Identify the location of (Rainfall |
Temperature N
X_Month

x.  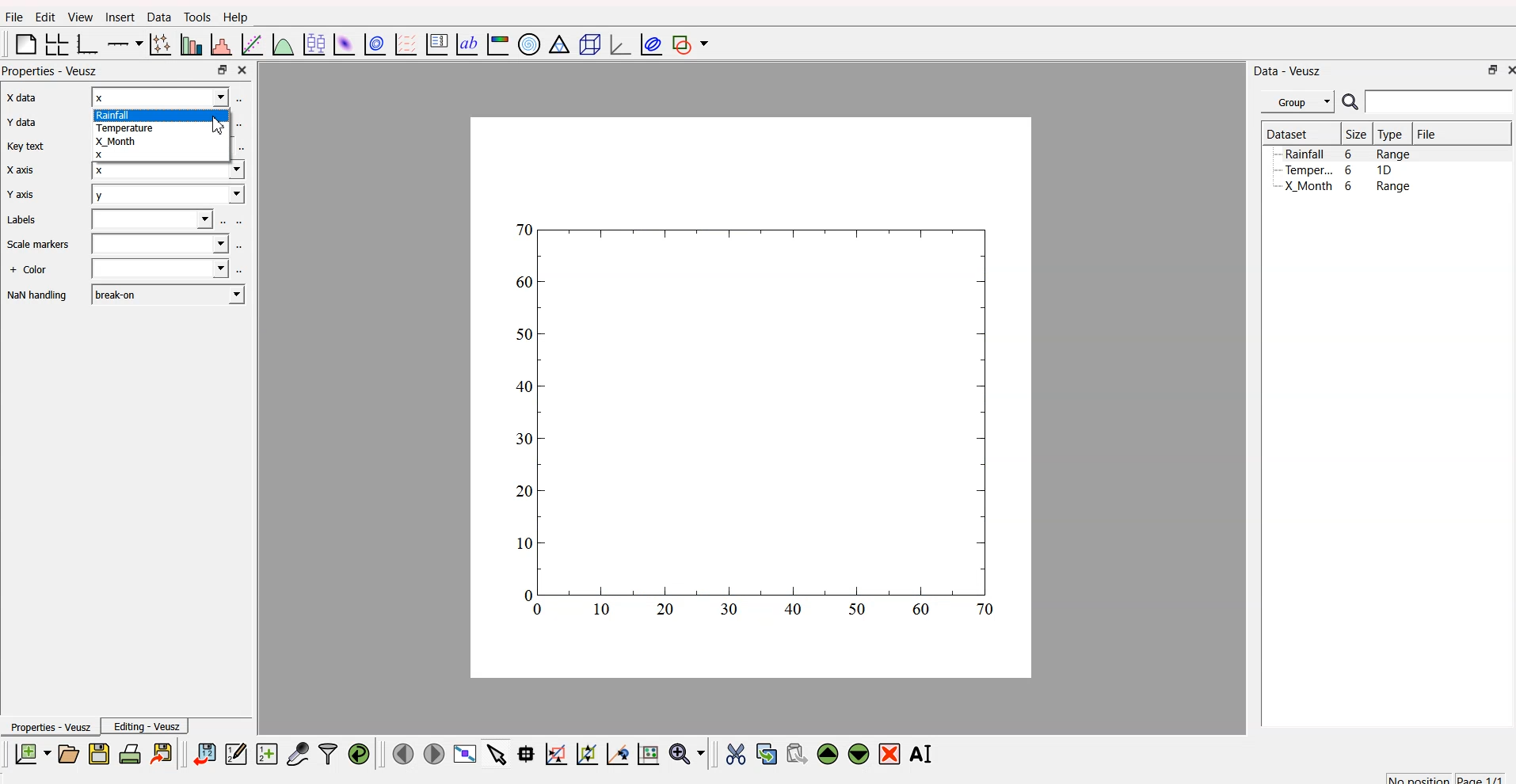
(160, 135).